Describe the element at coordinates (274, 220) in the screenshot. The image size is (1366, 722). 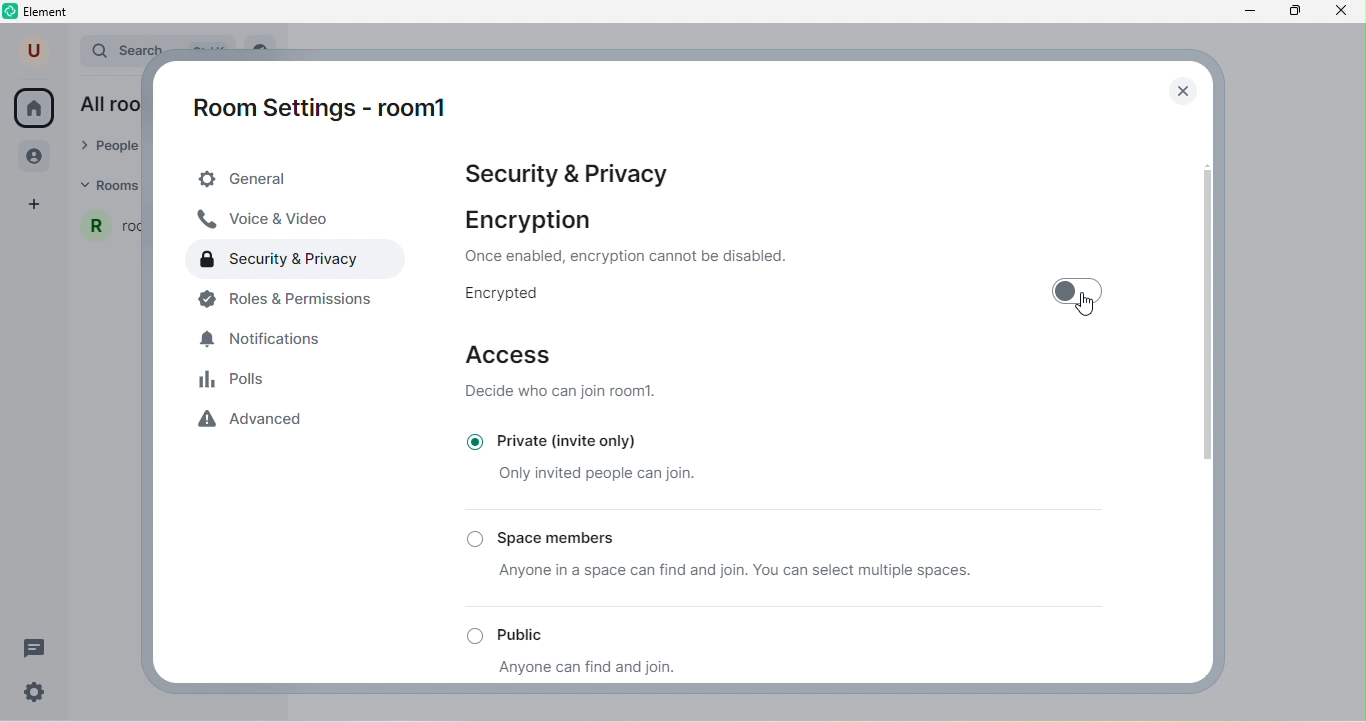
I see `voice & video` at that location.